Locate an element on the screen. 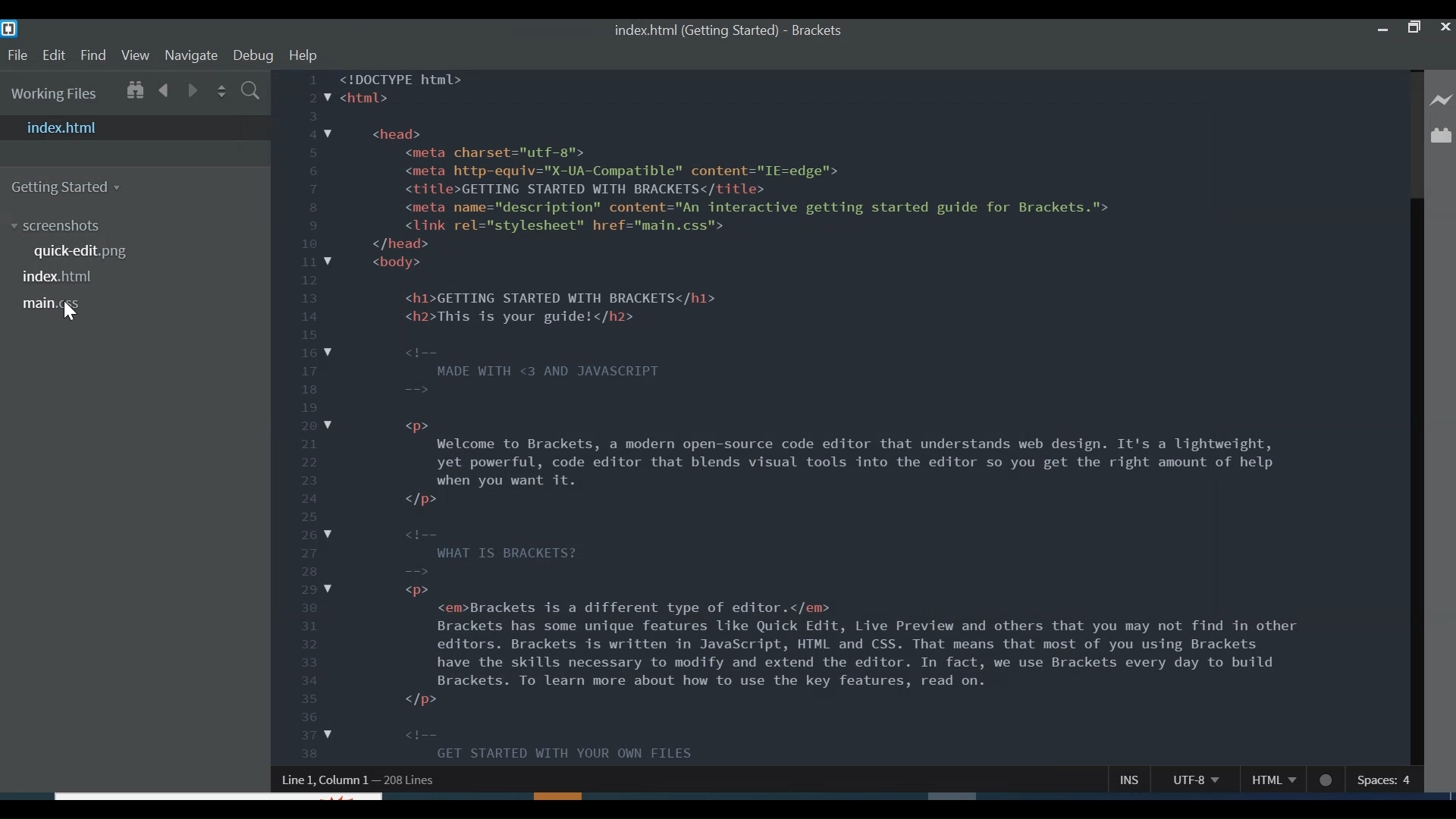 This screenshot has height=819, width=1456. Vertical Scroll bar is located at coordinates (1416, 480).